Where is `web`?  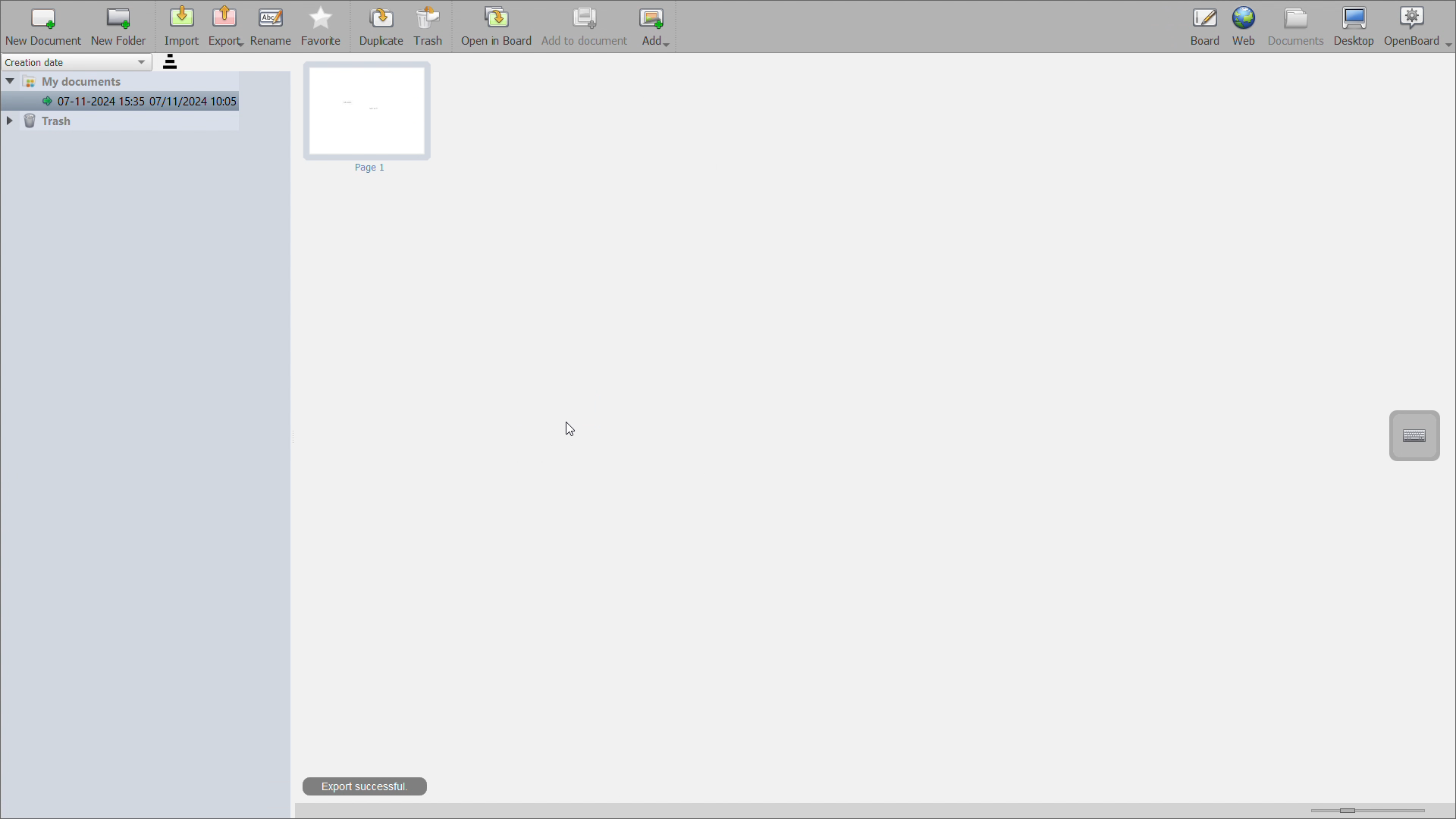
web is located at coordinates (1244, 27).